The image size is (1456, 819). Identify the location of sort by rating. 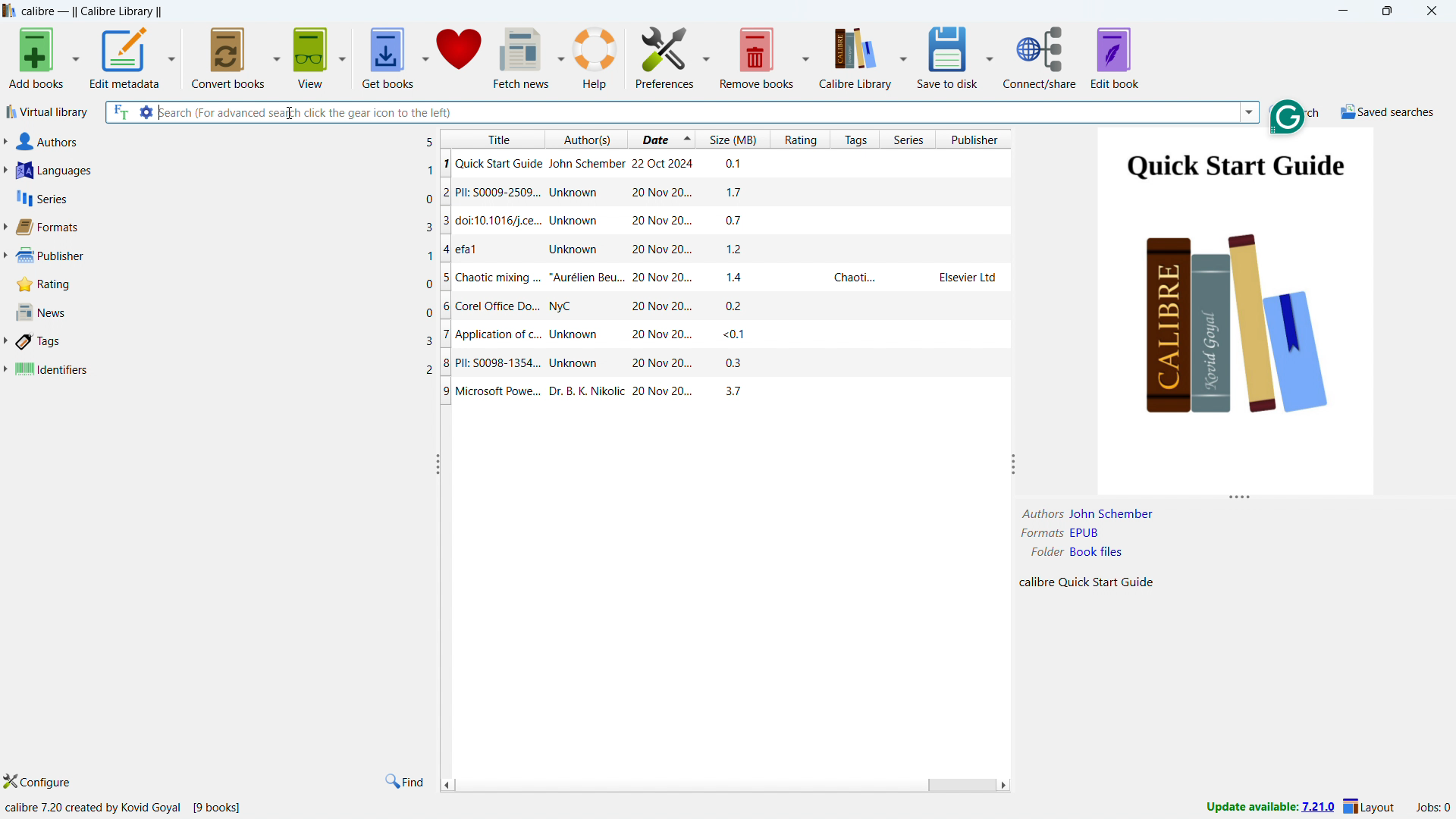
(799, 139).